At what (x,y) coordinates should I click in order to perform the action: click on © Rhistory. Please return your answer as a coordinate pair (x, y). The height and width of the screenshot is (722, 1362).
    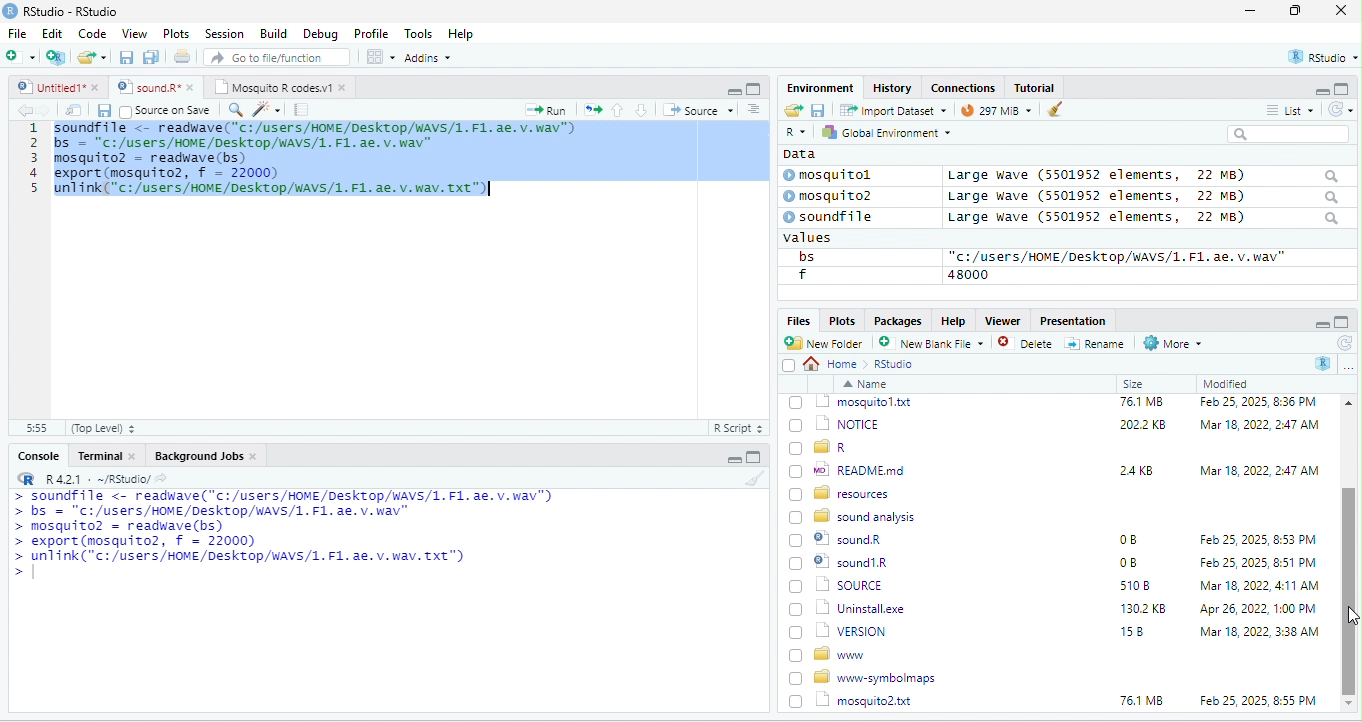
    Looking at the image, I should click on (838, 426).